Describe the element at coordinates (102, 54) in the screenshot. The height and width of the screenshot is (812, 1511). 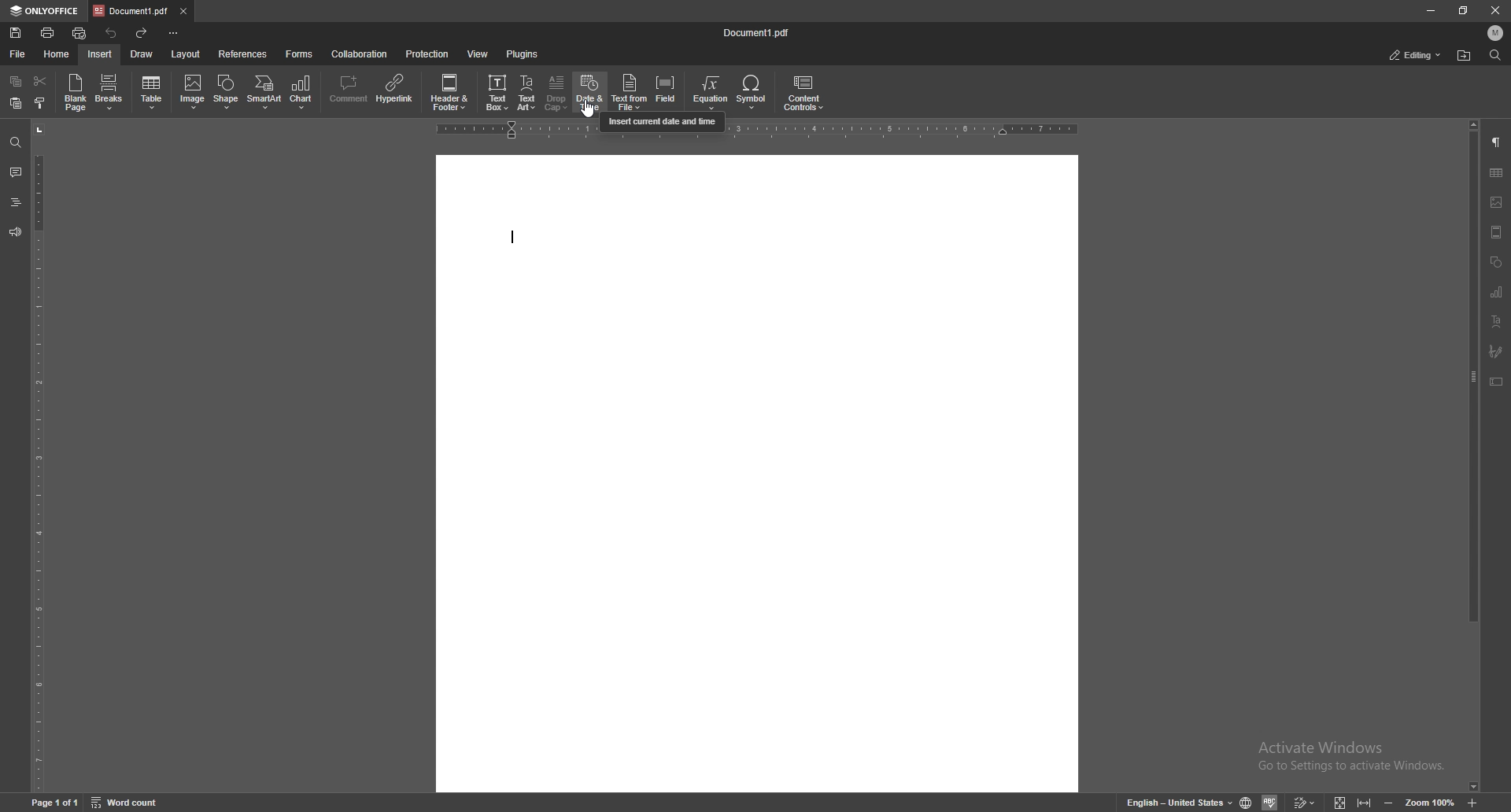
I see `insert` at that location.